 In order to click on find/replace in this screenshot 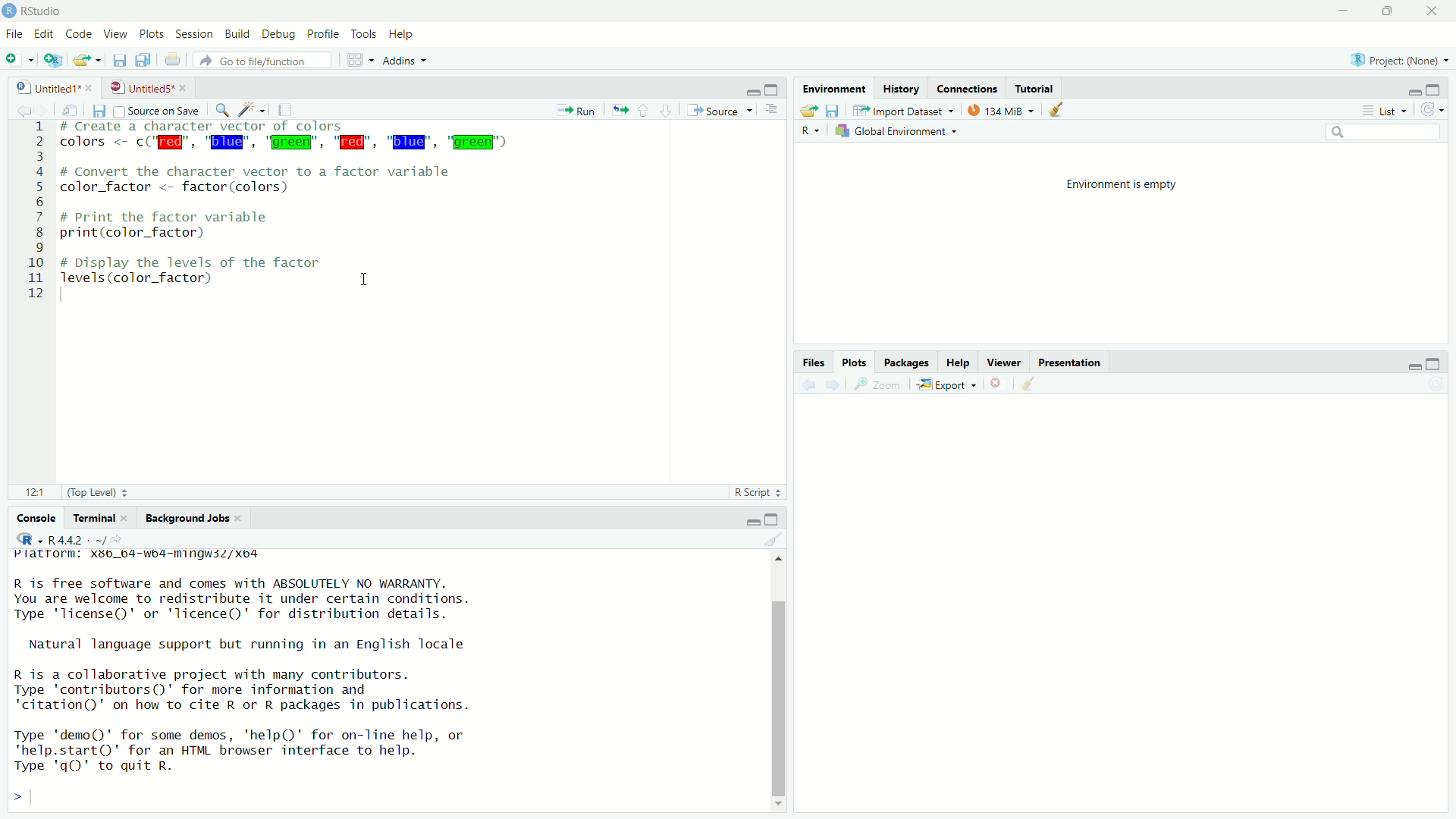, I will do `click(222, 111)`.